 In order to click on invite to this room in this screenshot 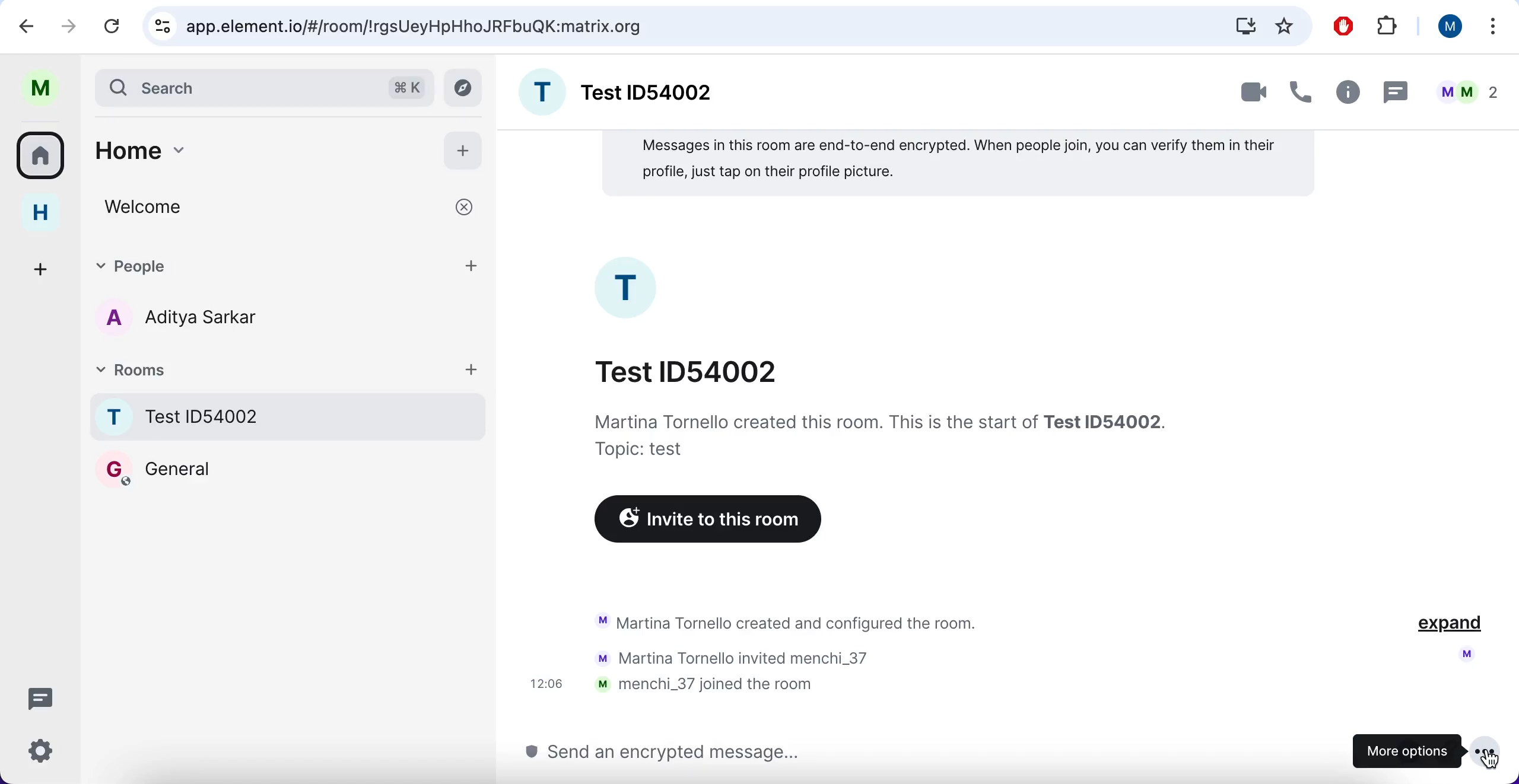, I will do `click(703, 520)`.